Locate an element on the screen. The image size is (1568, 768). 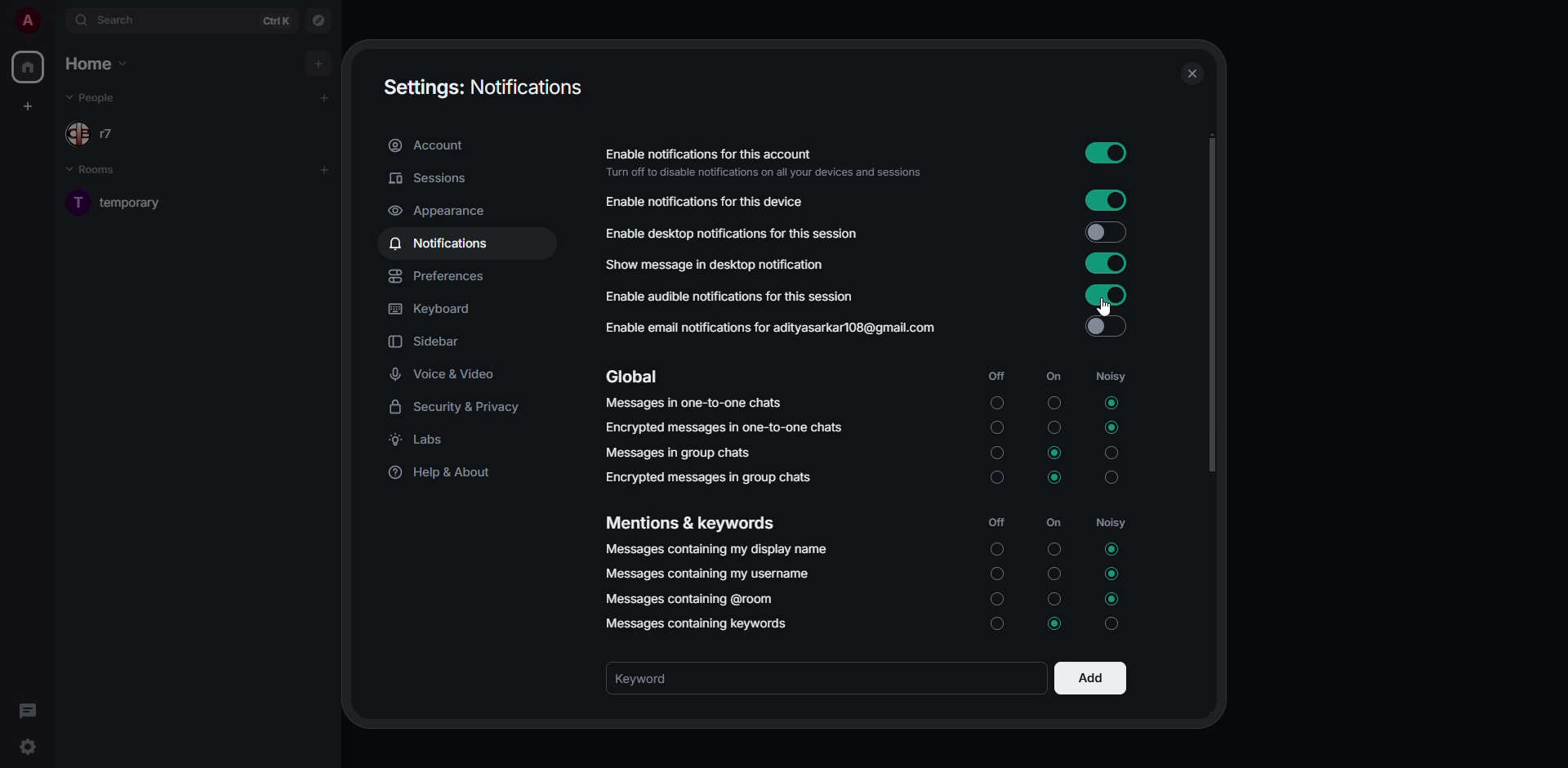
help & about is located at coordinates (447, 476).